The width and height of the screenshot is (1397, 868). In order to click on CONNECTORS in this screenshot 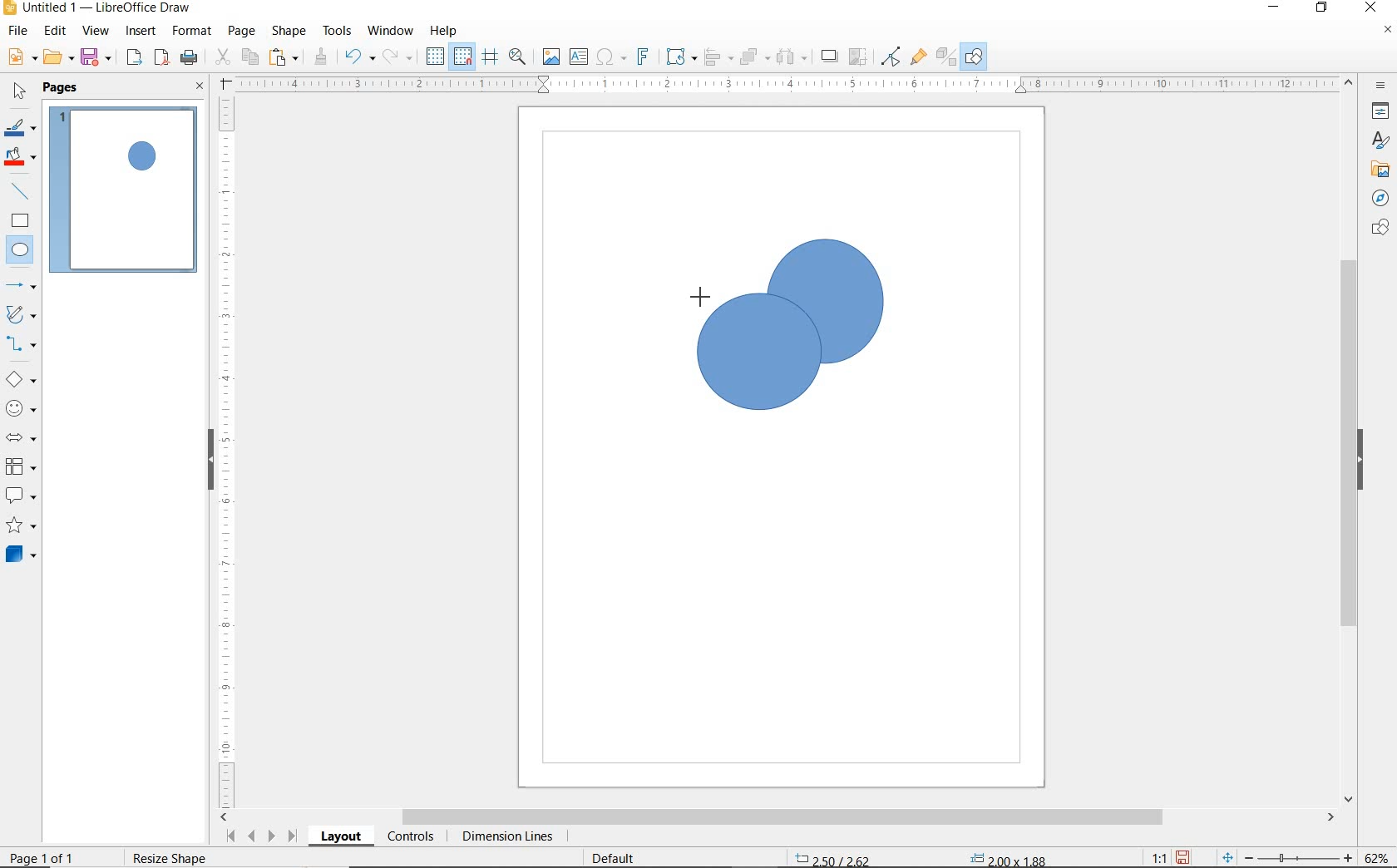, I will do `click(22, 344)`.